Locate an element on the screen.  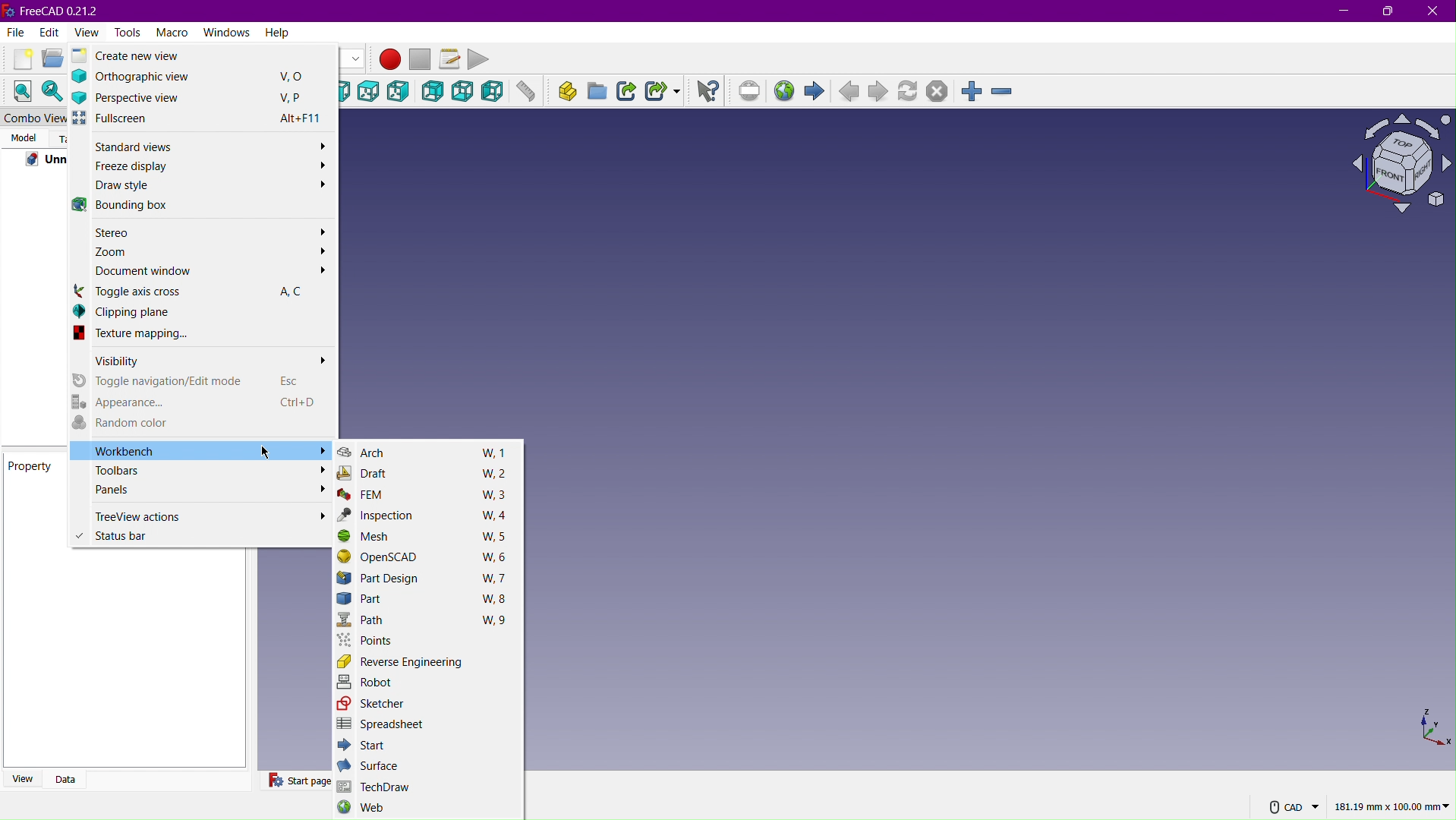
Part W,8 is located at coordinates (428, 598).